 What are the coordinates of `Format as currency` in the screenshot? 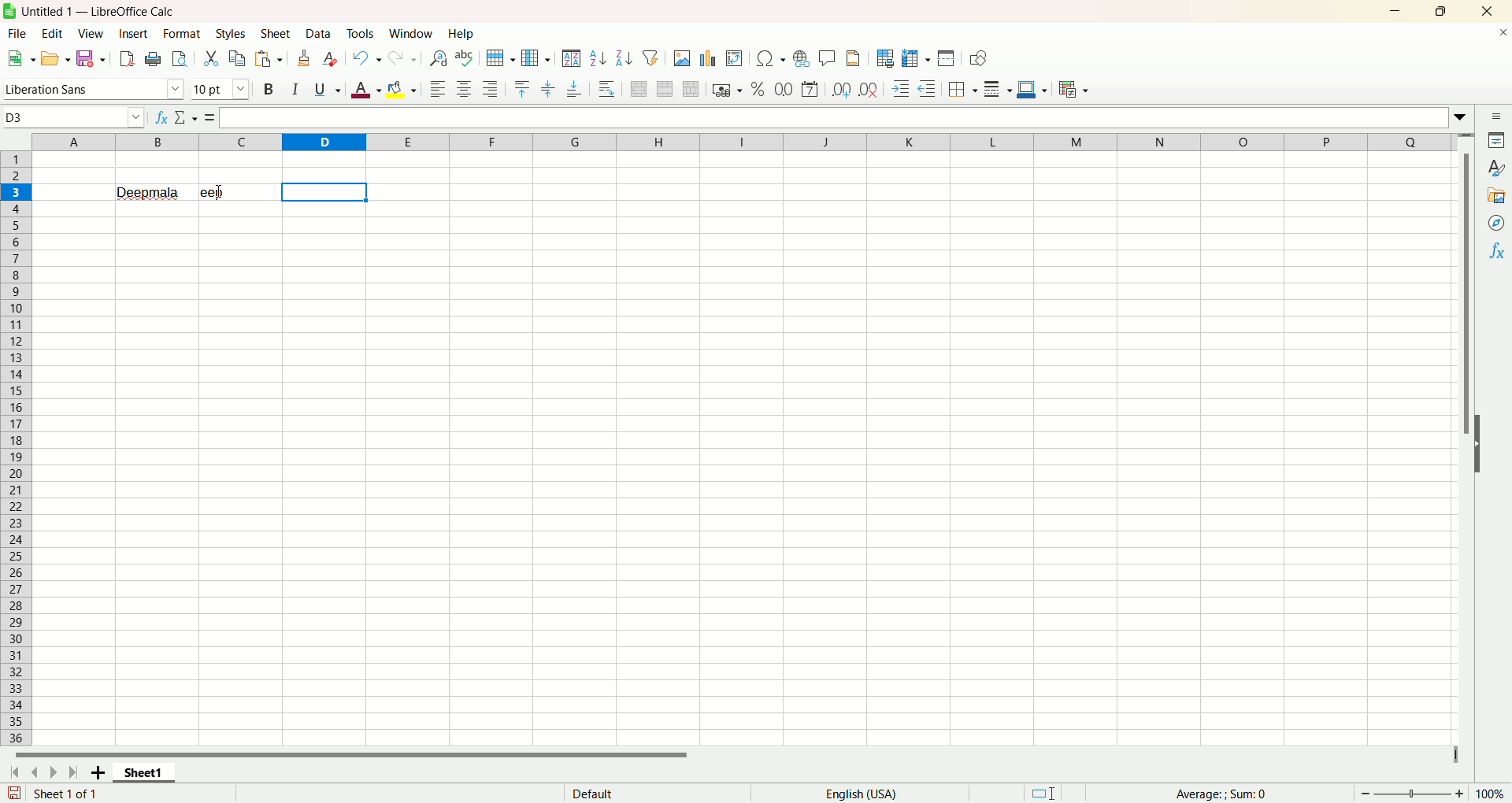 It's located at (727, 88).